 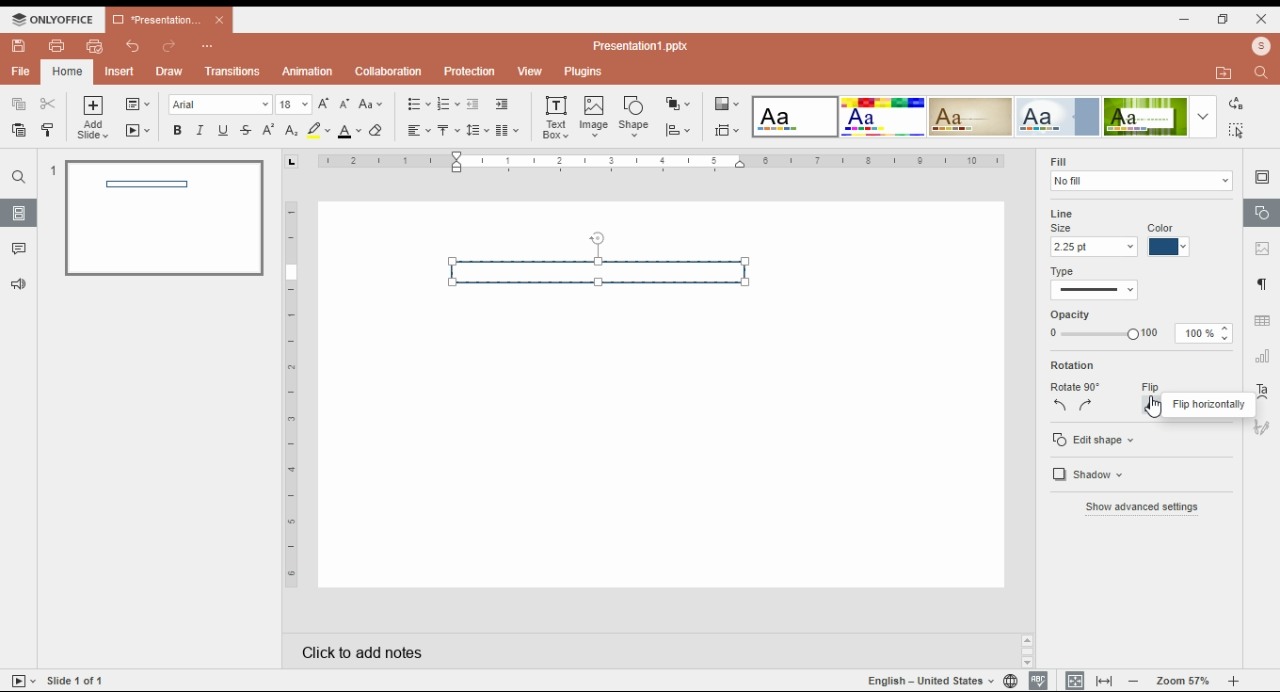 I want to click on font, so click(x=220, y=104).